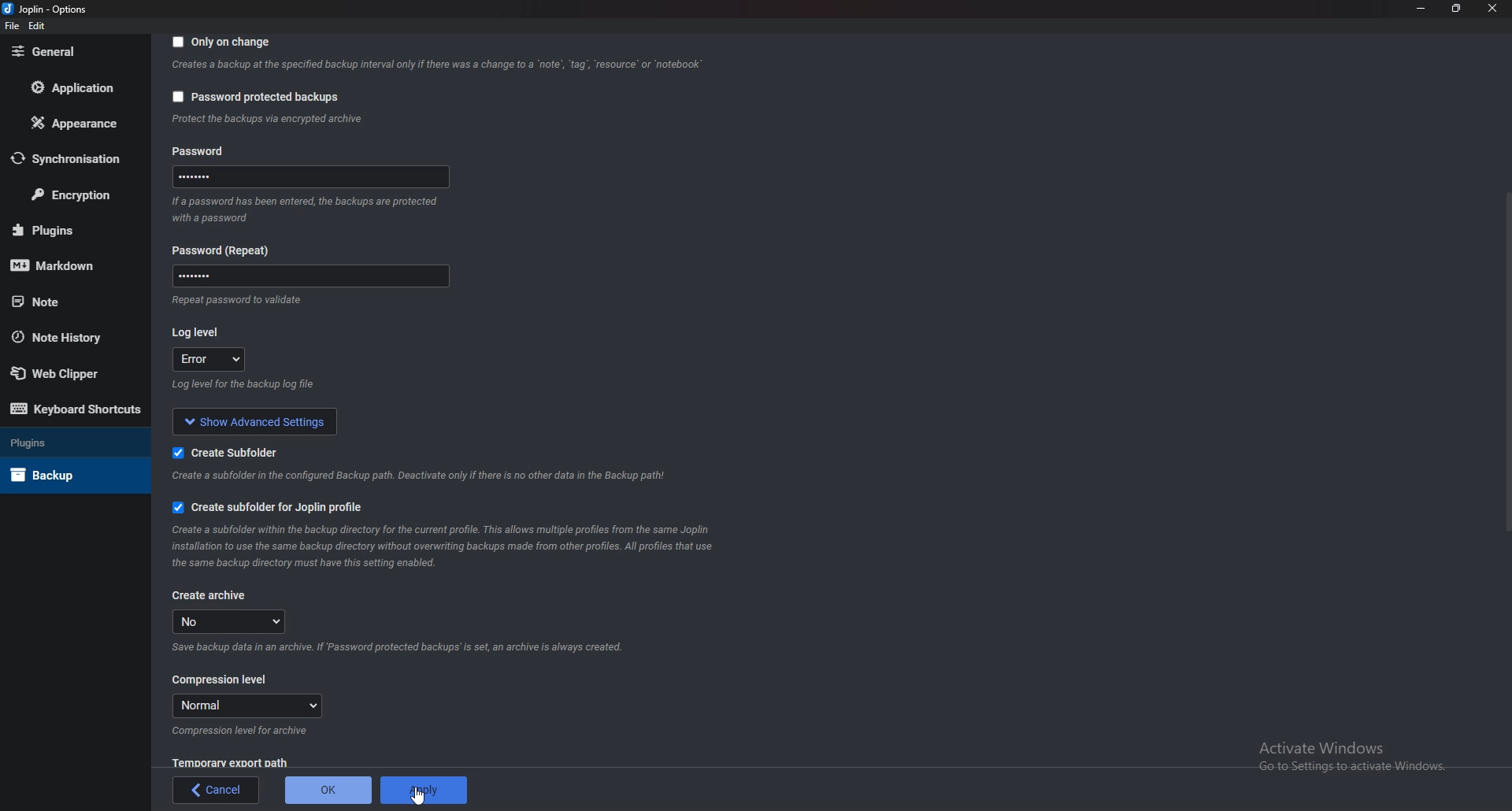 This screenshot has height=811, width=1512. Describe the element at coordinates (242, 731) in the screenshot. I see `Info` at that location.